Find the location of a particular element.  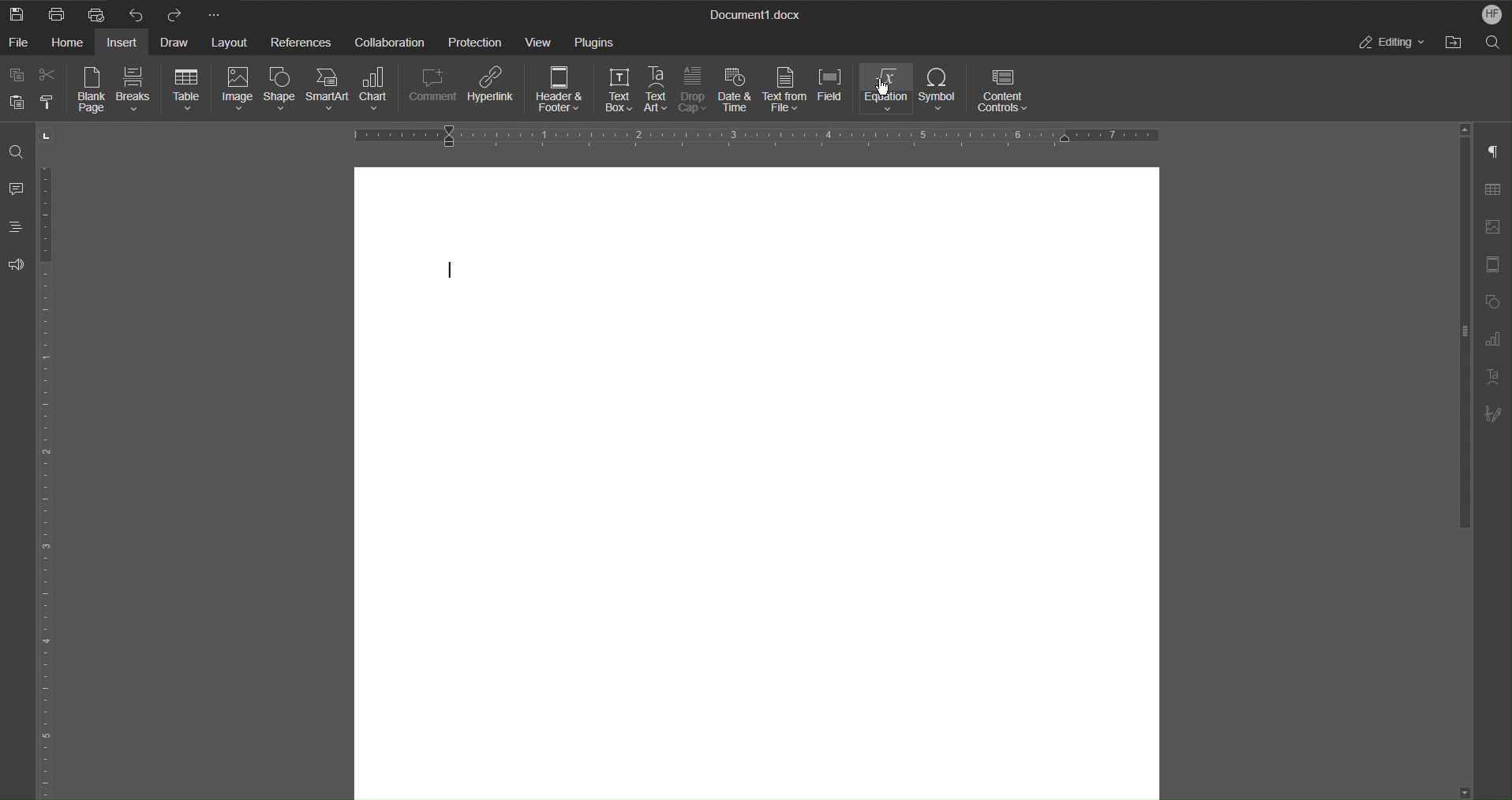

Image is located at coordinates (234, 91).